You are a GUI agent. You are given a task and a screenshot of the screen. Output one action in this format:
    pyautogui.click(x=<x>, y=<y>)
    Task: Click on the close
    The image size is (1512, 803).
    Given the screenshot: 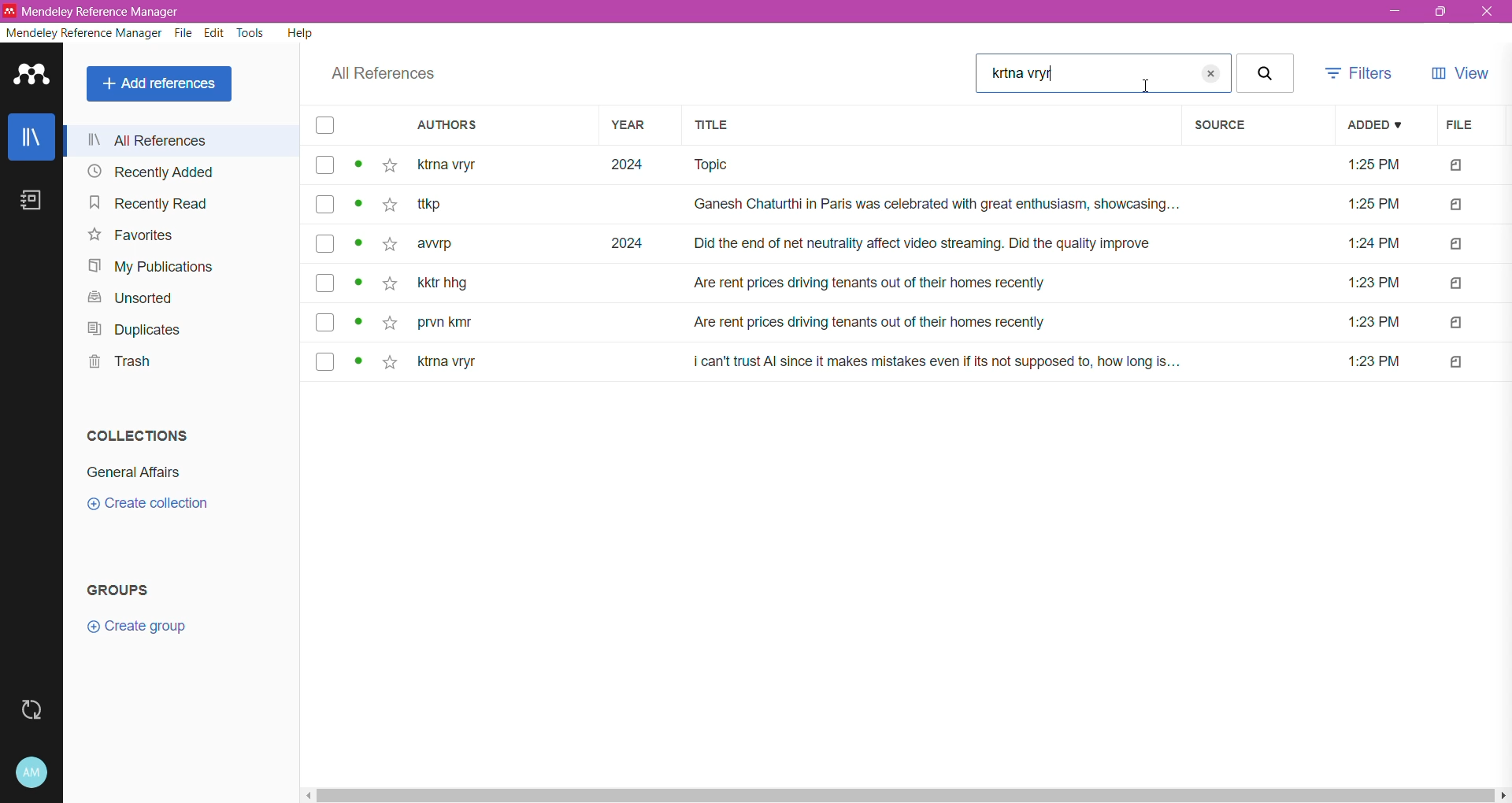 What is the action you would take?
    pyautogui.click(x=1245, y=72)
    